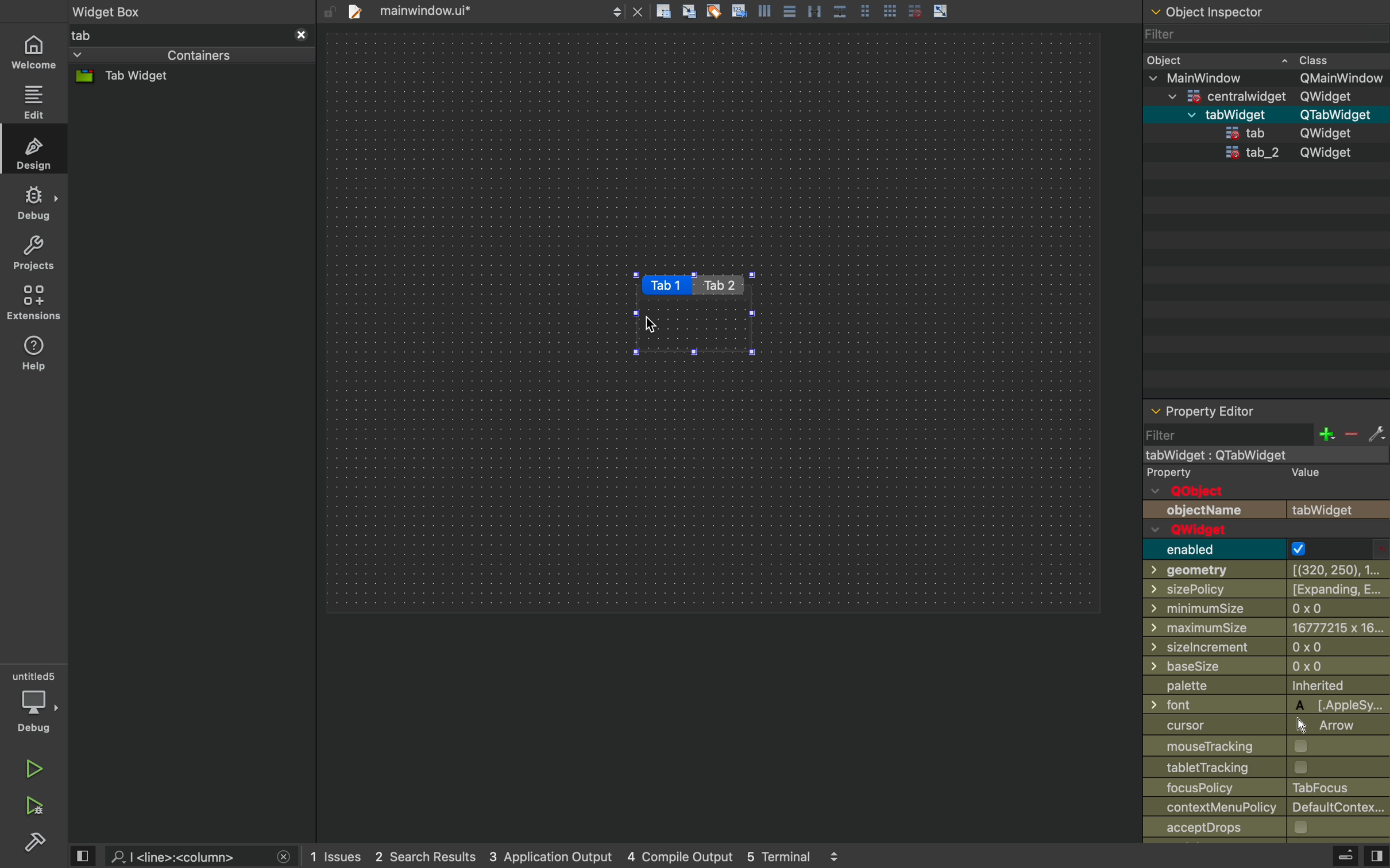 The height and width of the screenshot is (868, 1390). I want to click on close, so click(638, 11).